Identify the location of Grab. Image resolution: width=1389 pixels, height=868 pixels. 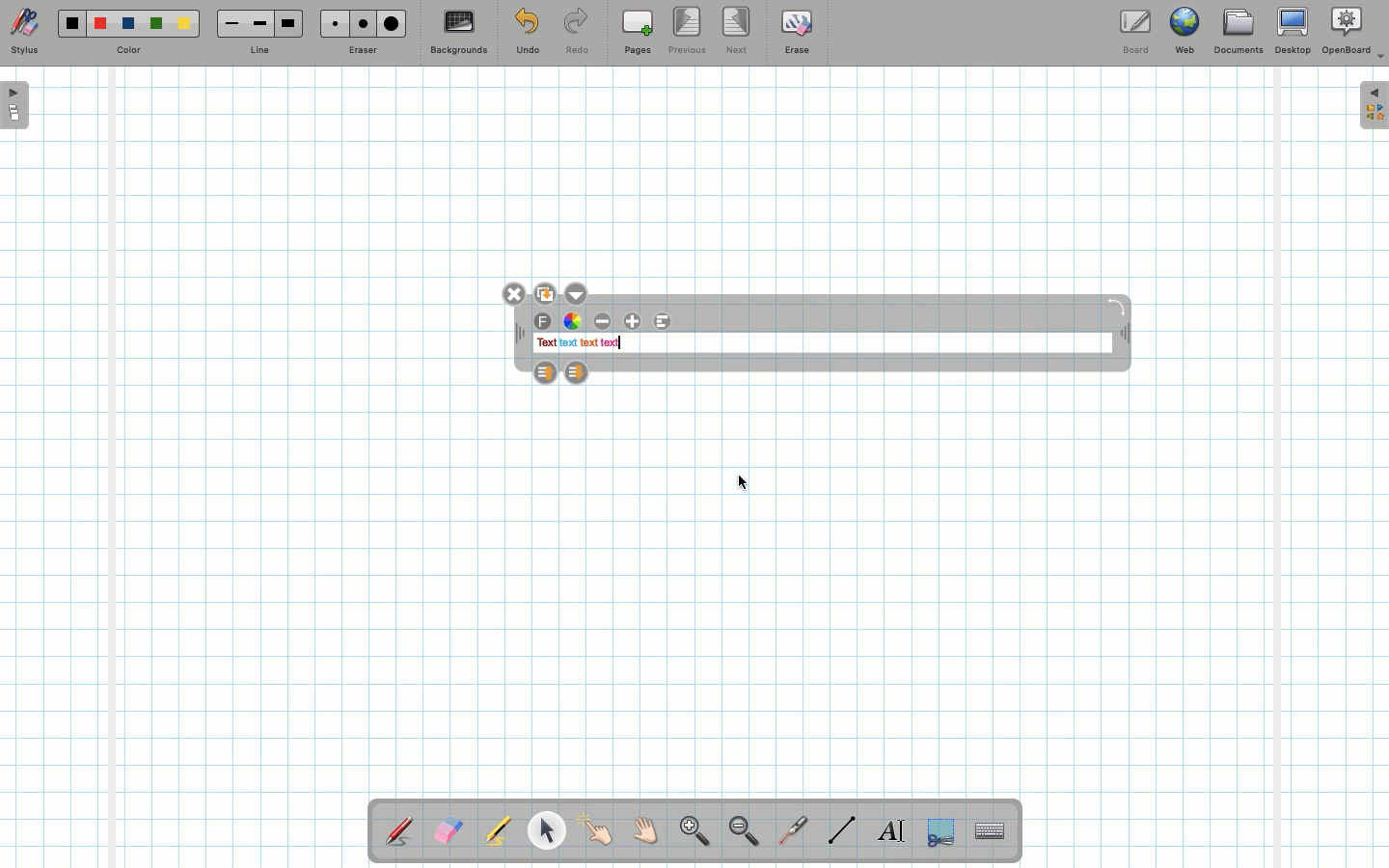
(646, 833).